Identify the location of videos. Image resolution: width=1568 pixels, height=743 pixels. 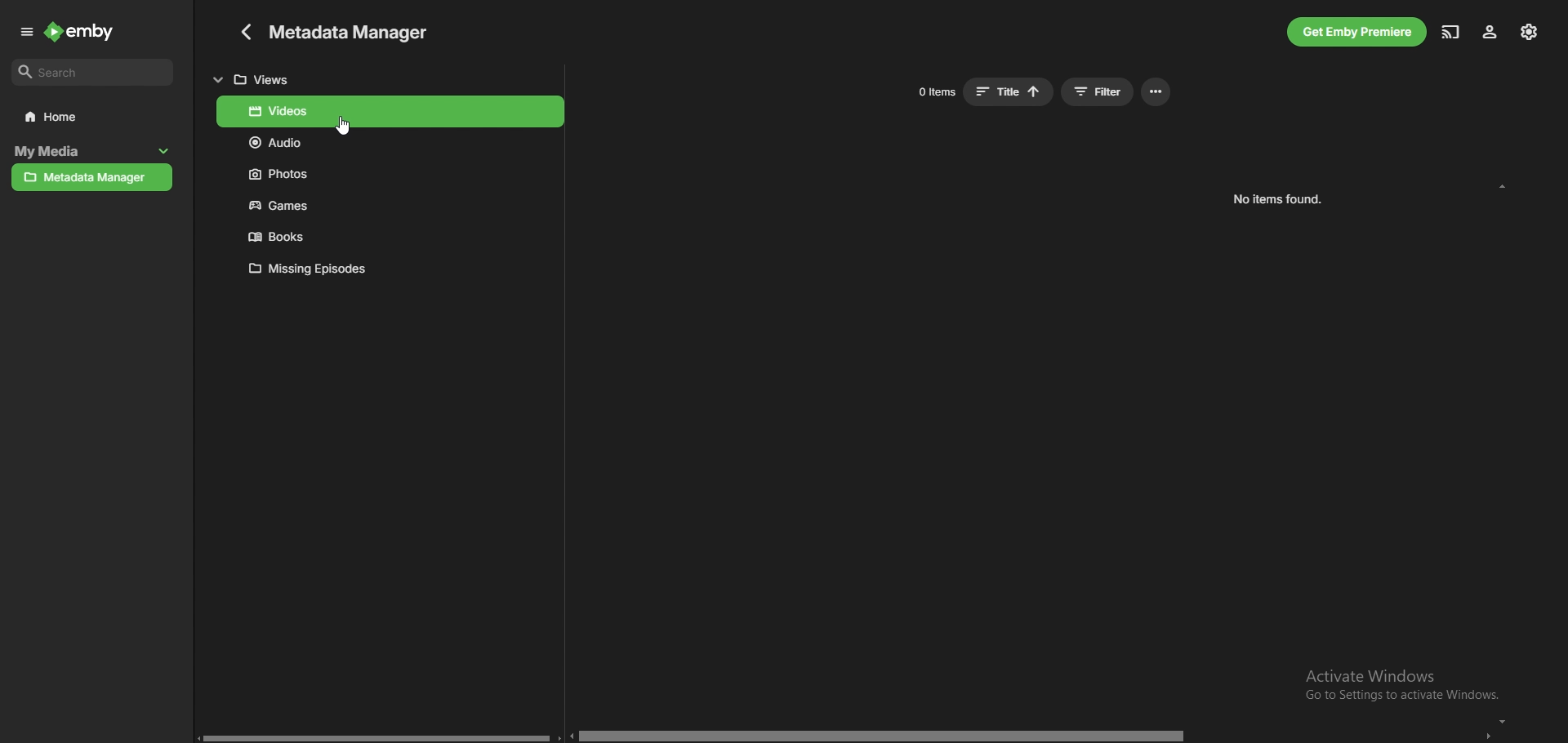
(386, 112).